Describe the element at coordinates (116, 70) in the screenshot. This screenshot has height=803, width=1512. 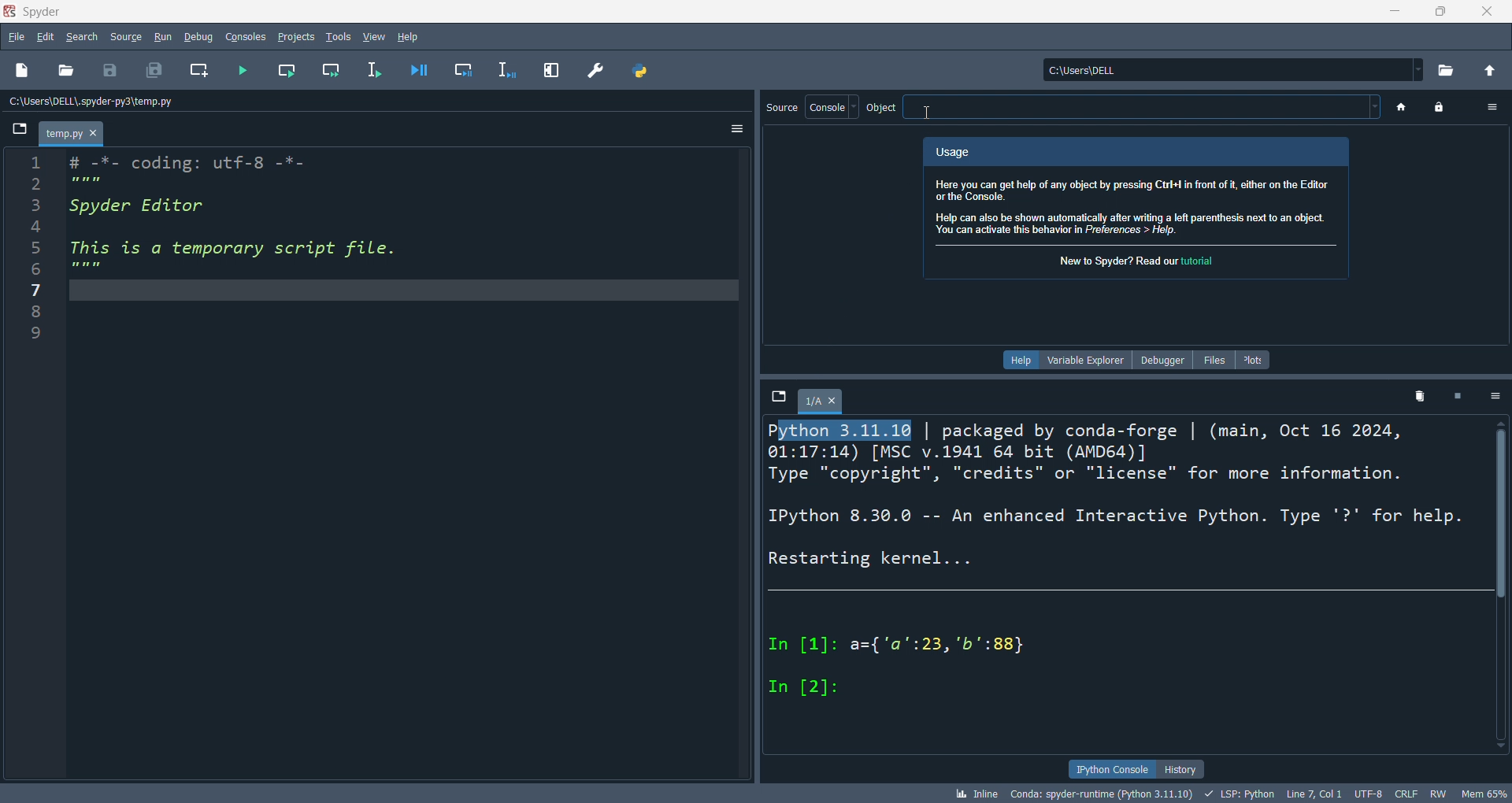
I see `save` at that location.